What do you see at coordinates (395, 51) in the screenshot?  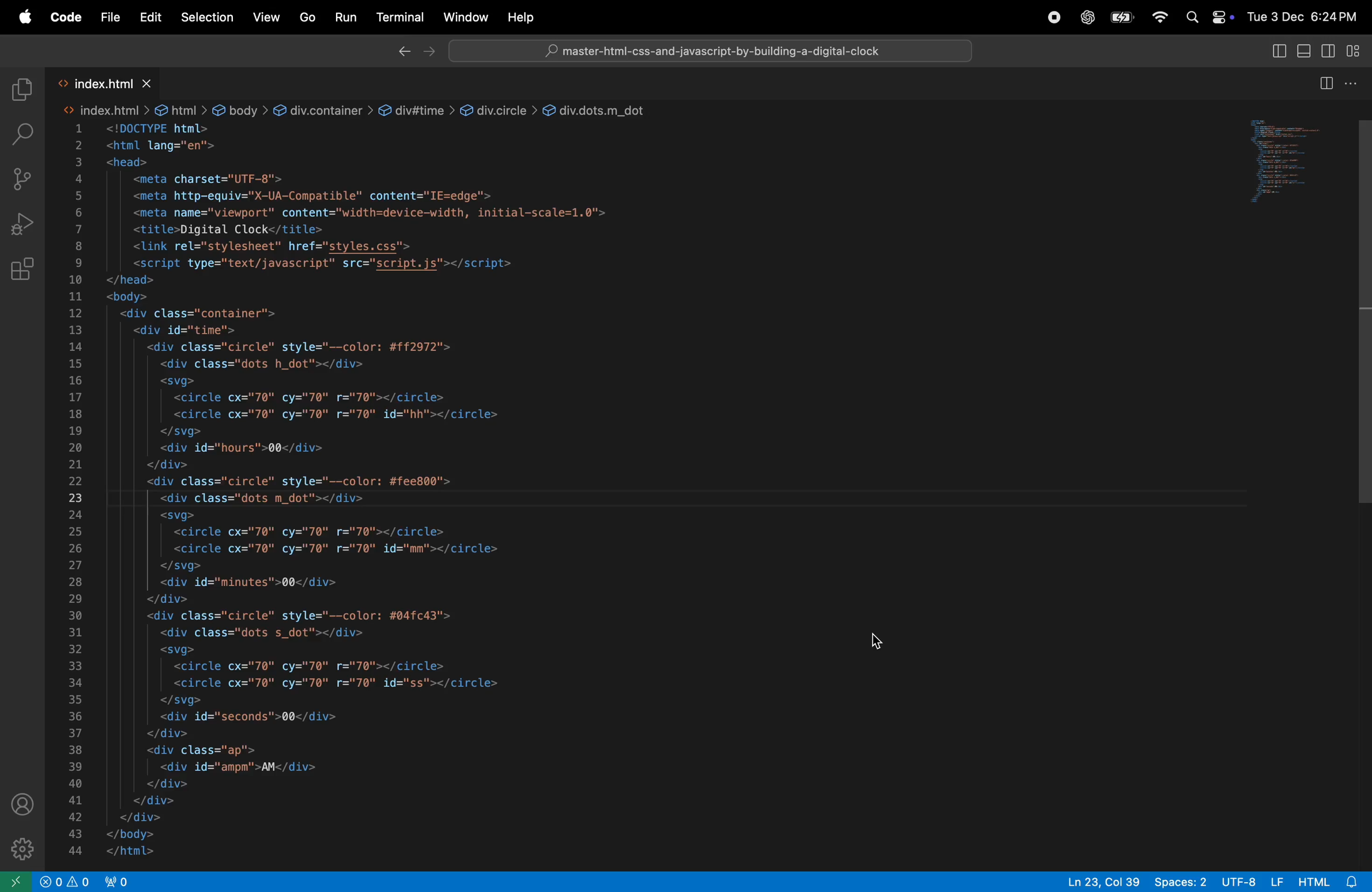 I see `back ward` at bounding box center [395, 51].